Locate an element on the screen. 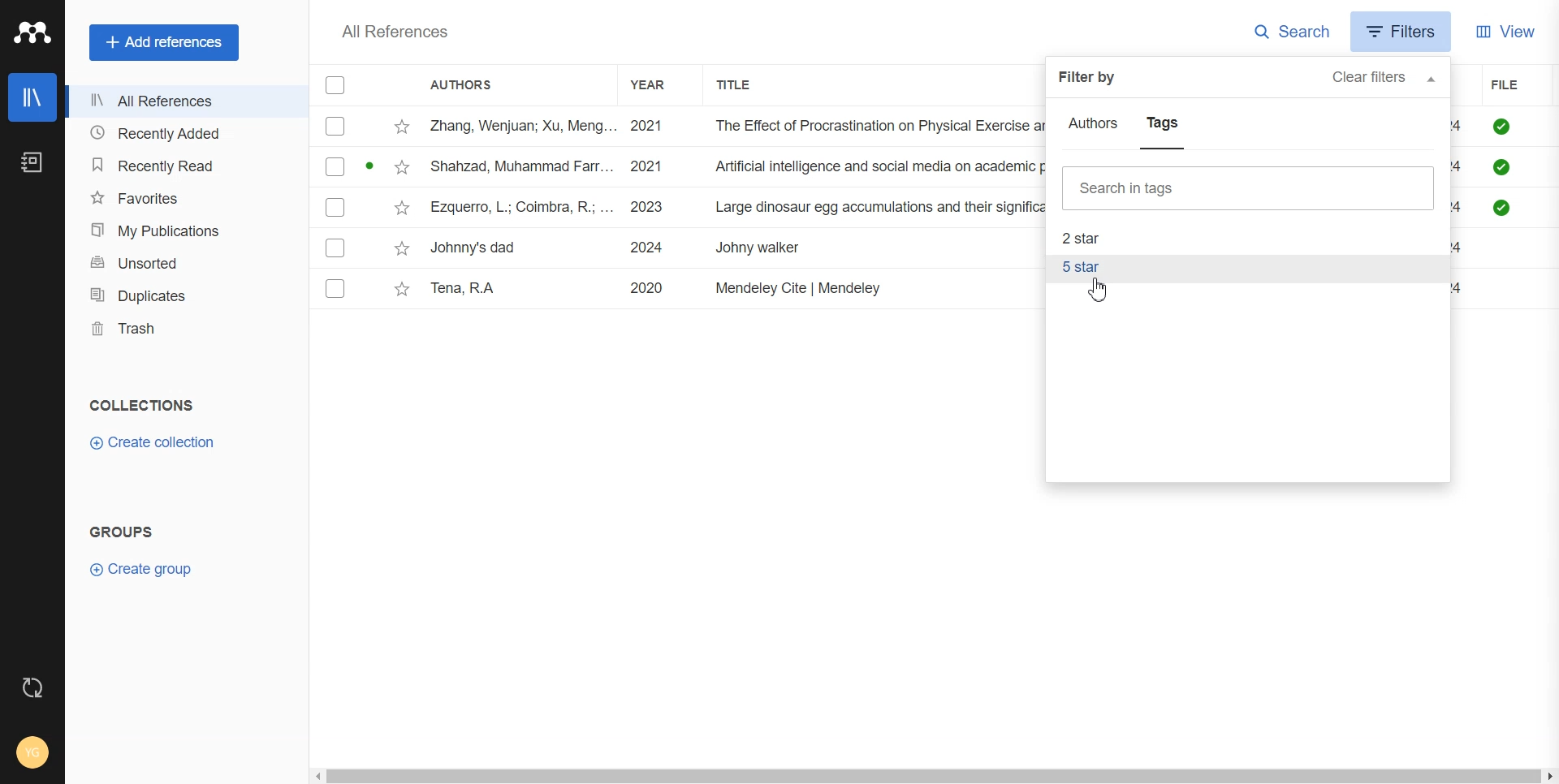  Favorites is located at coordinates (183, 196).